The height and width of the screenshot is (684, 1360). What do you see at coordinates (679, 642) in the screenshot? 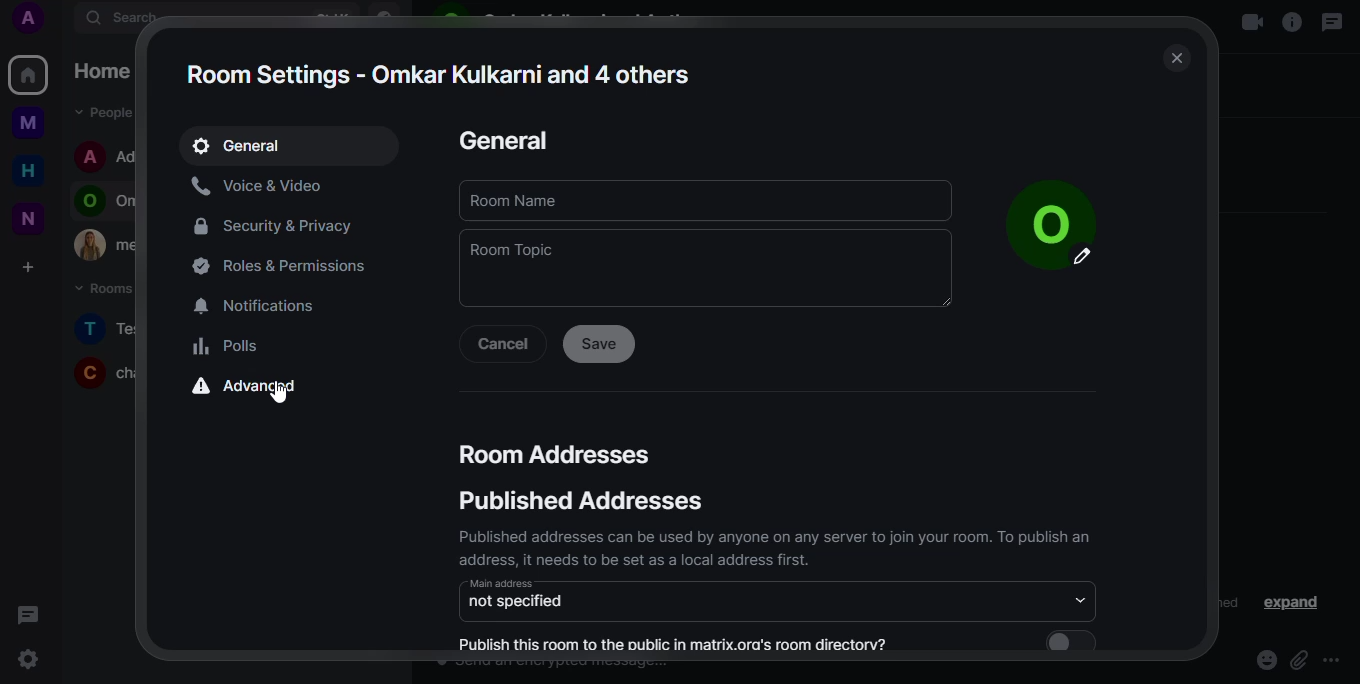
I see `publish` at bounding box center [679, 642].